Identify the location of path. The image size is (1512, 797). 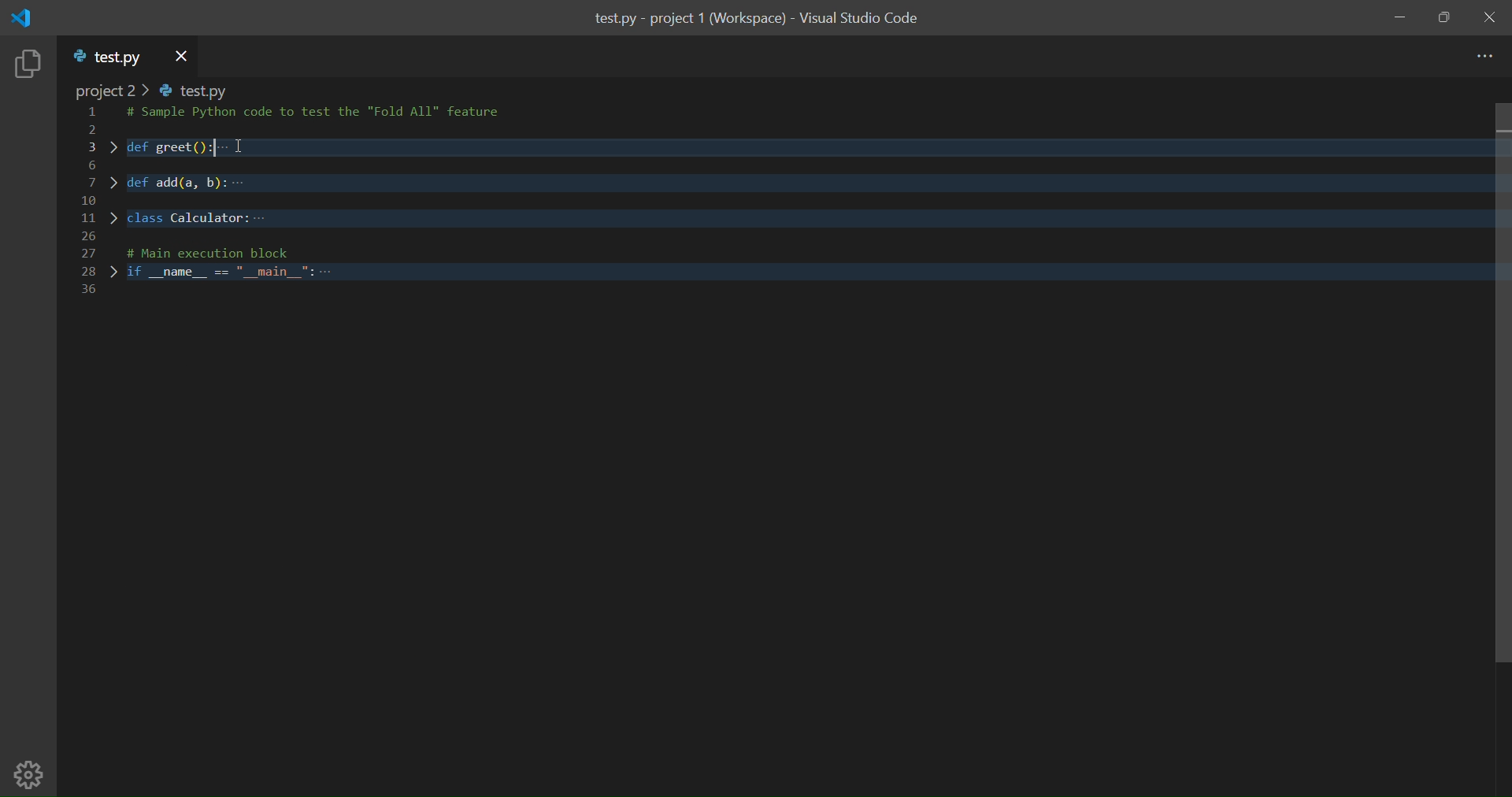
(157, 91).